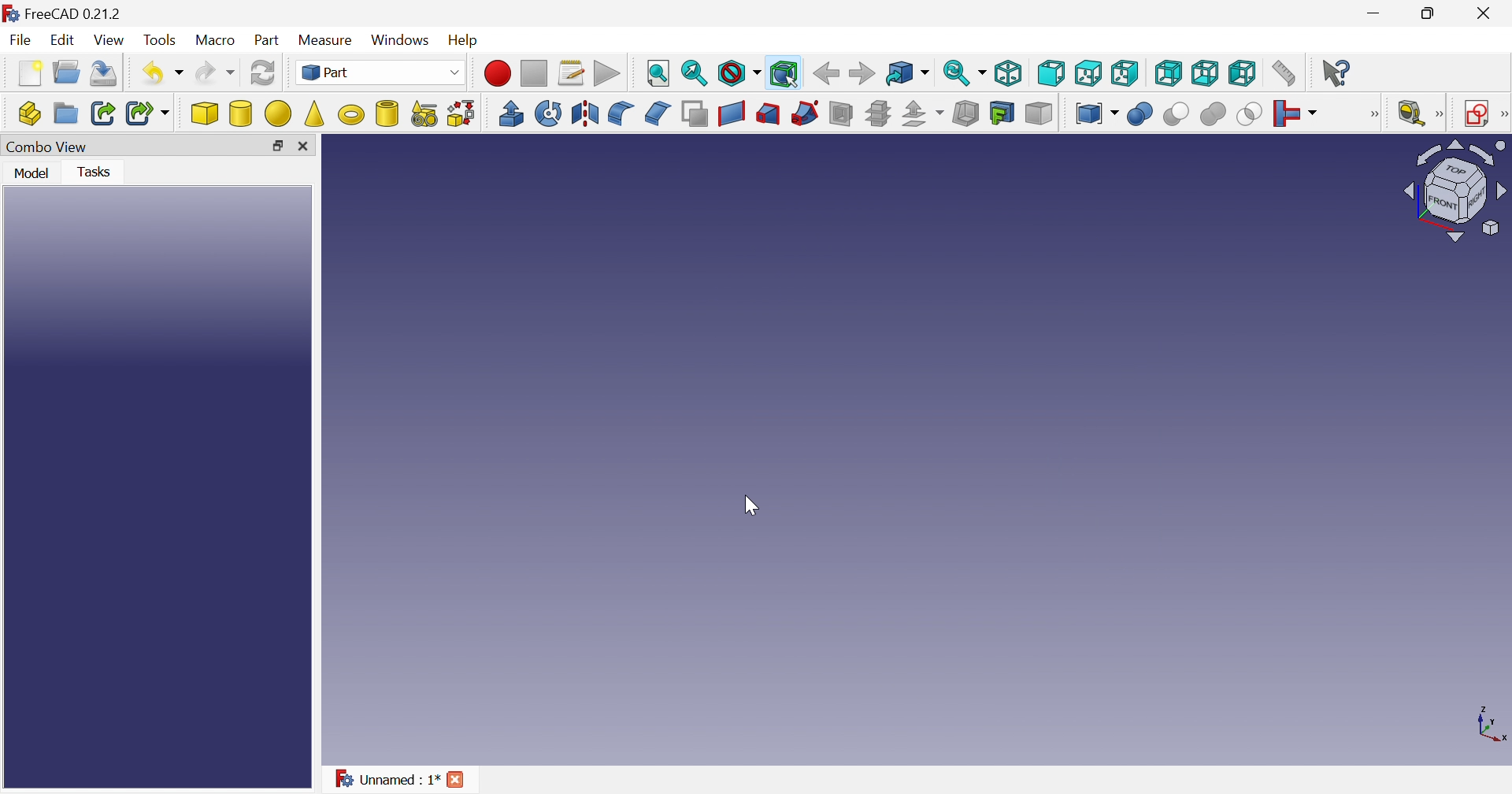 The height and width of the screenshot is (794, 1512). What do you see at coordinates (69, 71) in the screenshot?
I see `Open` at bounding box center [69, 71].